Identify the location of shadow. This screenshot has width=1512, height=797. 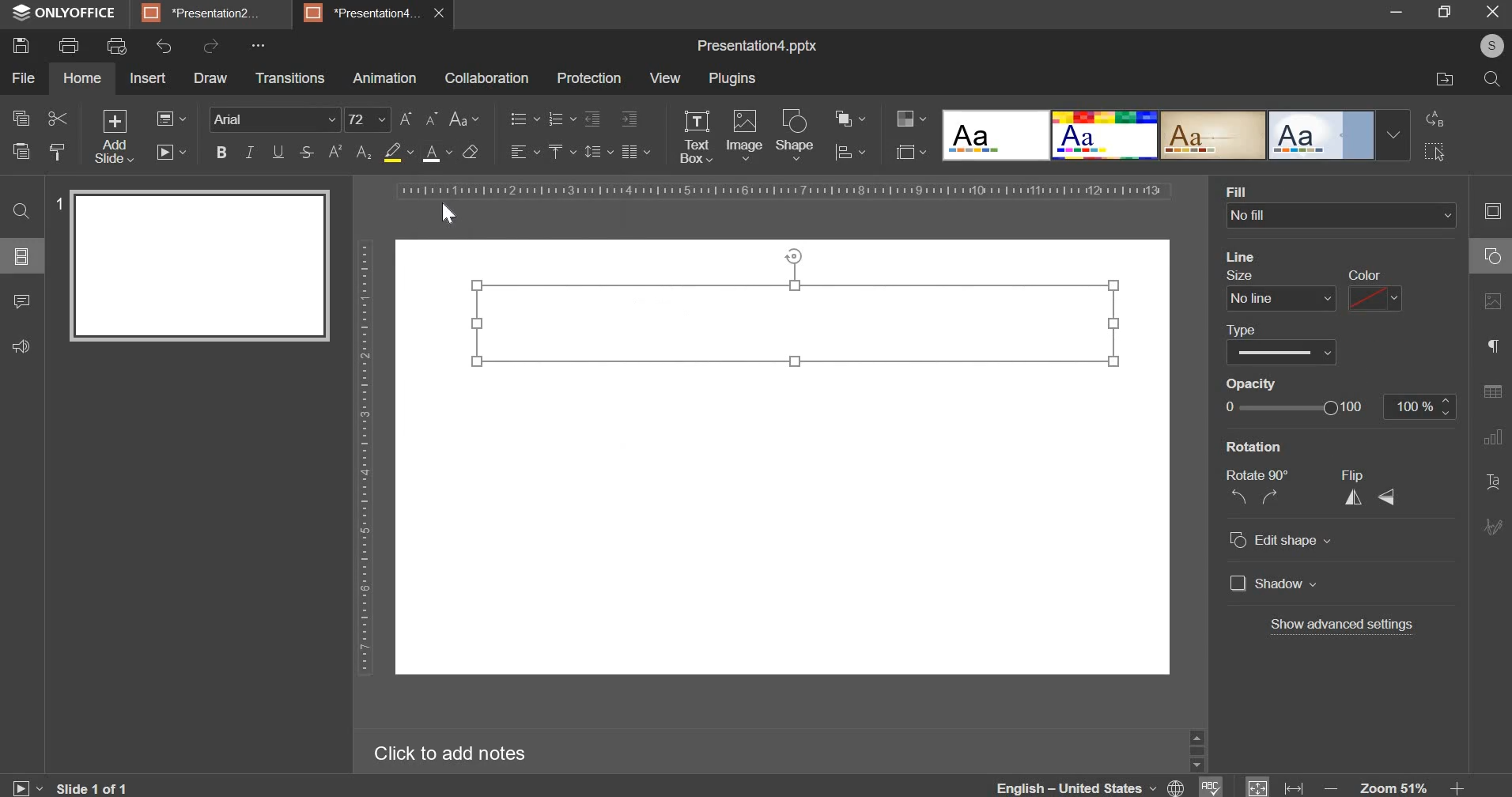
(1275, 585).